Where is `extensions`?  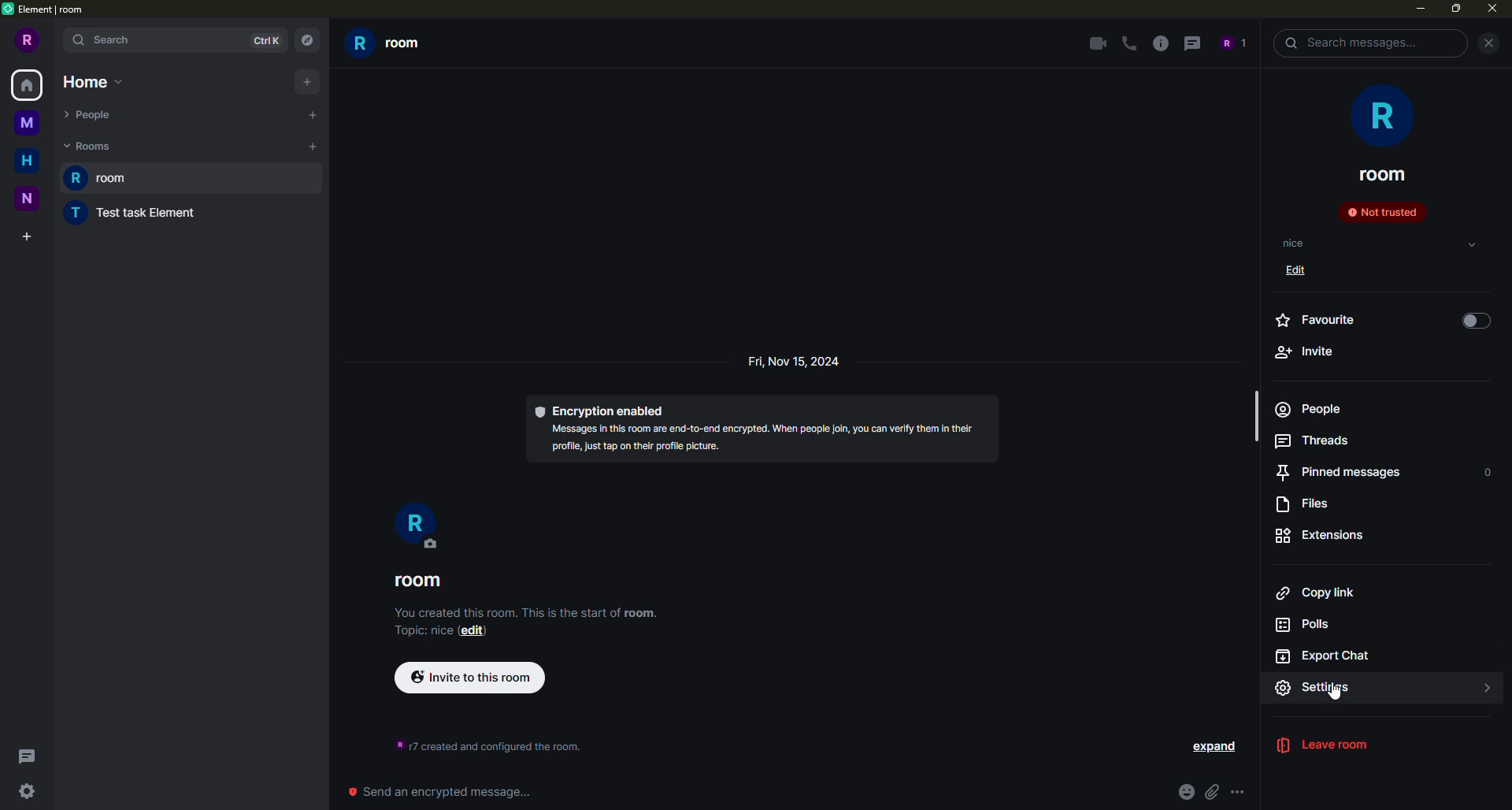 extensions is located at coordinates (1323, 535).